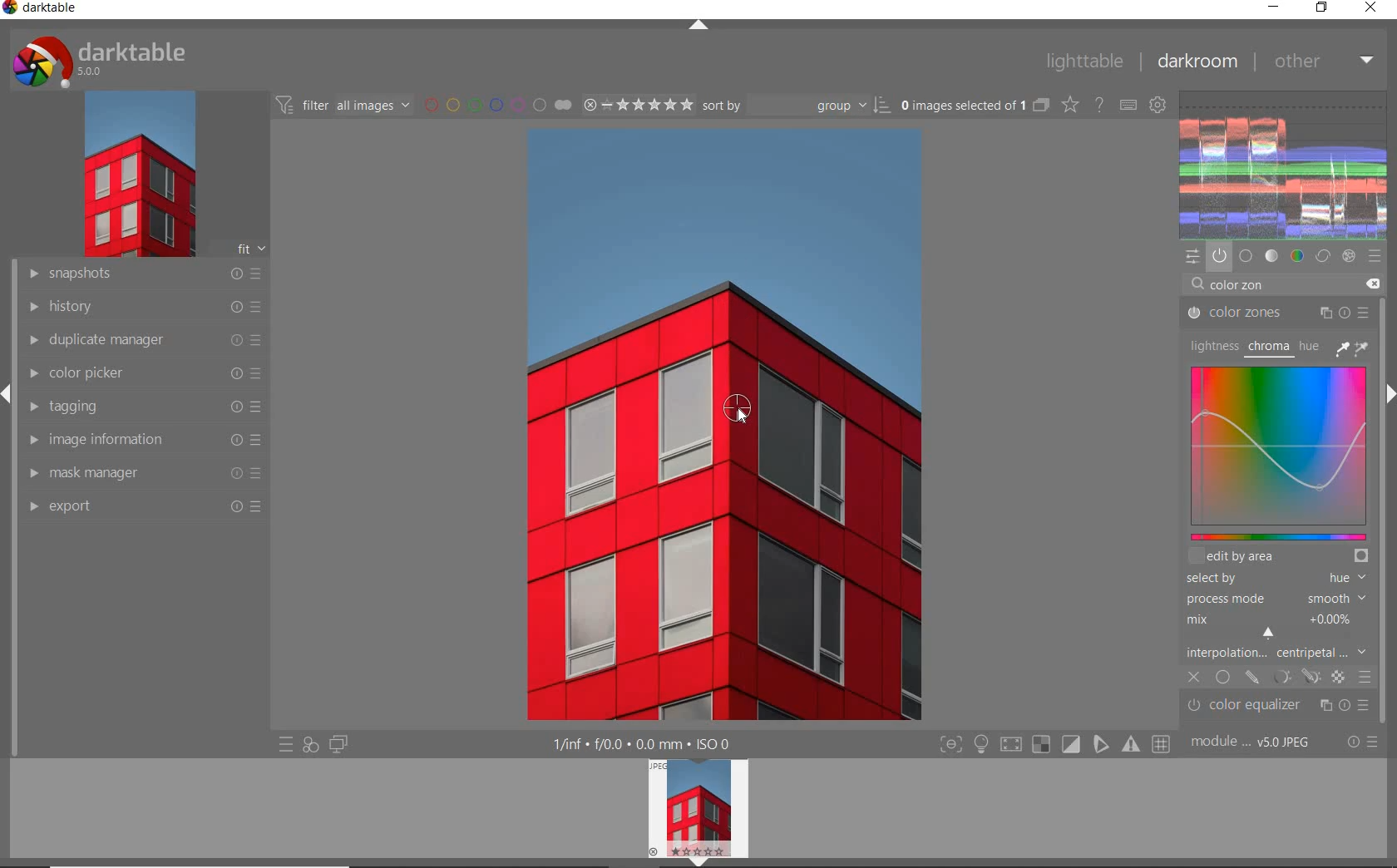 This screenshot has width=1397, height=868. I want to click on expand/collapse, so click(699, 26).